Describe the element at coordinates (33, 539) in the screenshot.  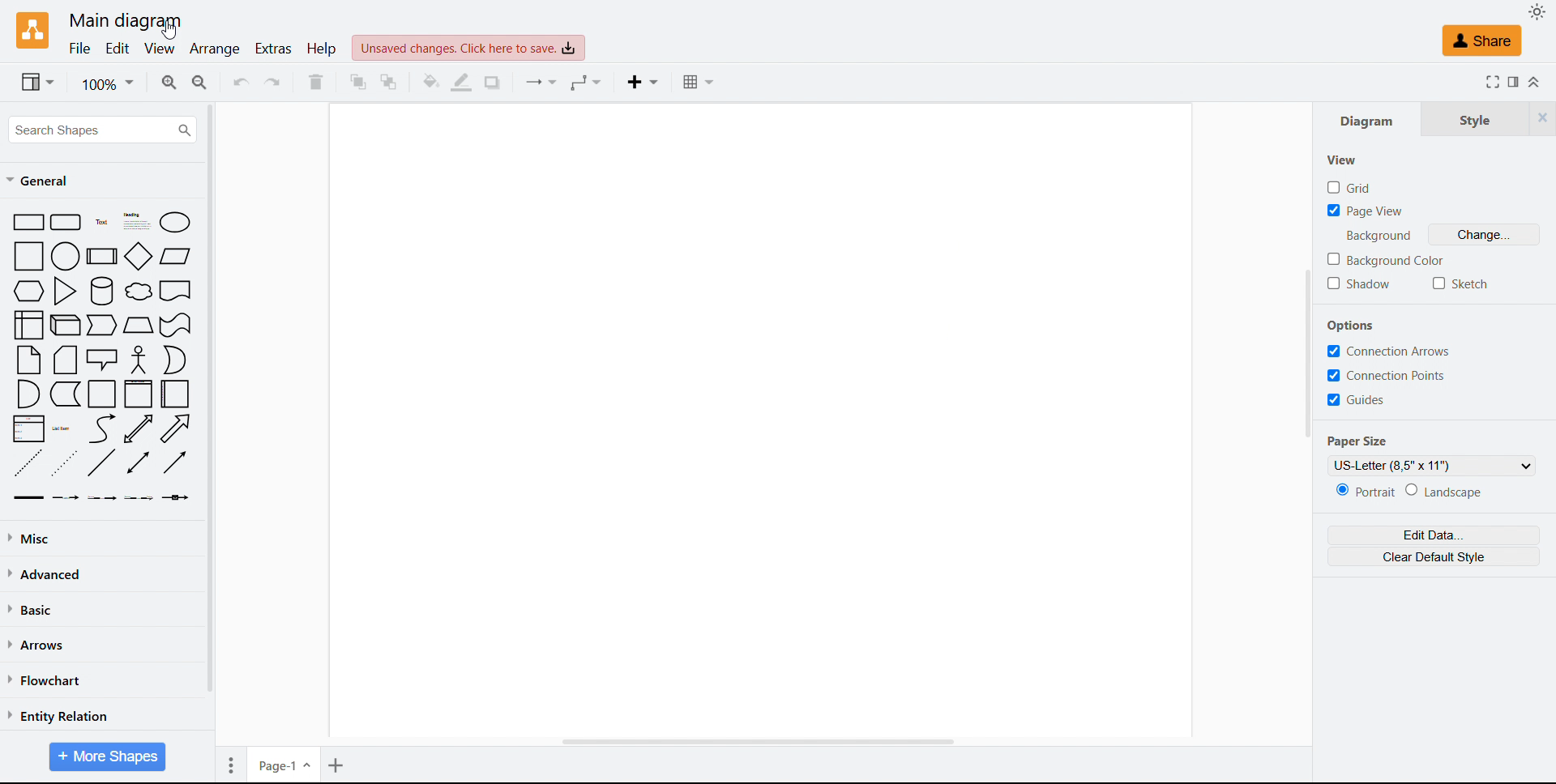
I see `Miscellaneous ` at that location.